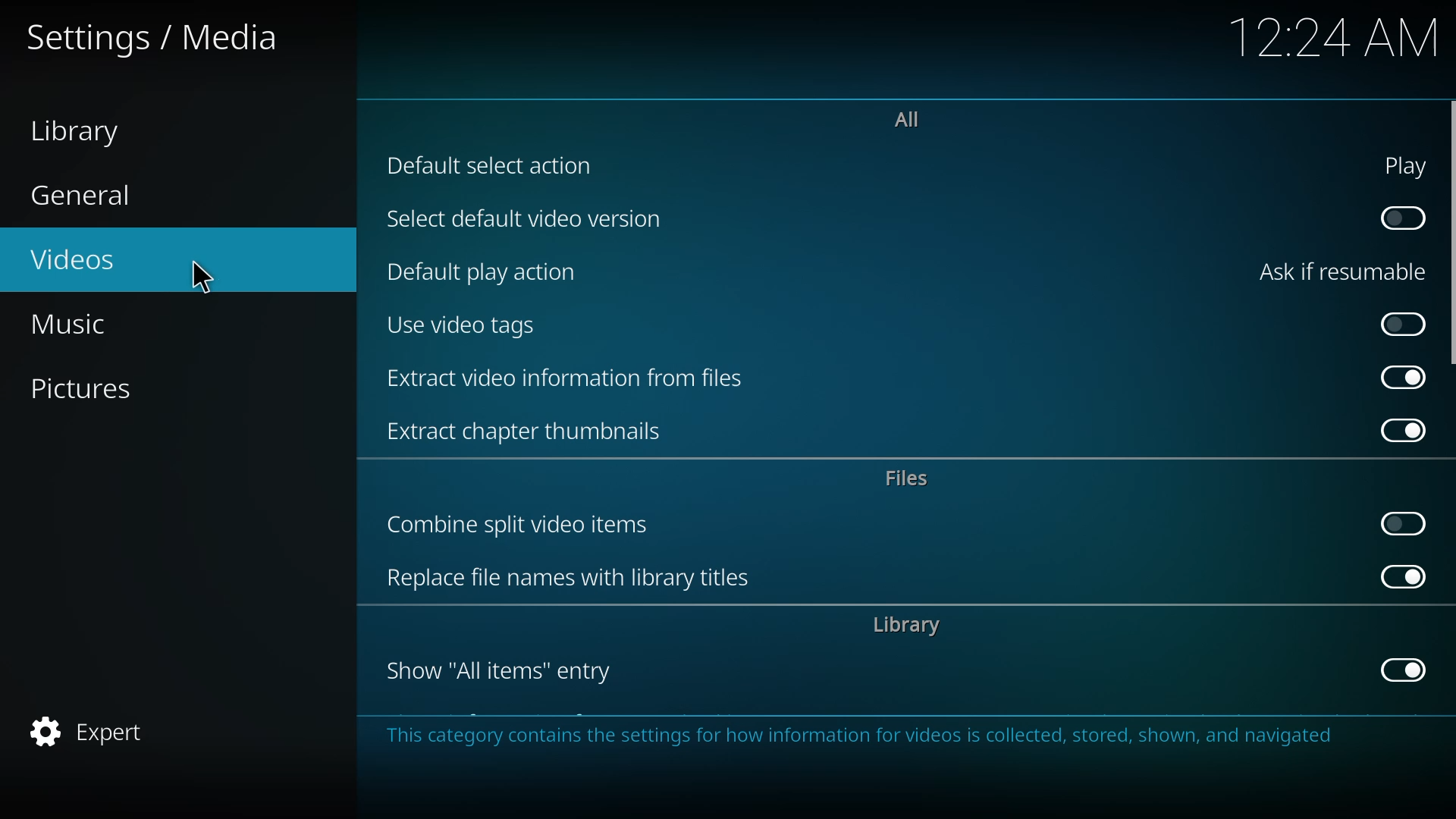 The height and width of the screenshot is (819, 1456). What do you see at coordinates (1402, 216) in the screenshot?
I see `click to enable` at bounding box center [1402, 216].